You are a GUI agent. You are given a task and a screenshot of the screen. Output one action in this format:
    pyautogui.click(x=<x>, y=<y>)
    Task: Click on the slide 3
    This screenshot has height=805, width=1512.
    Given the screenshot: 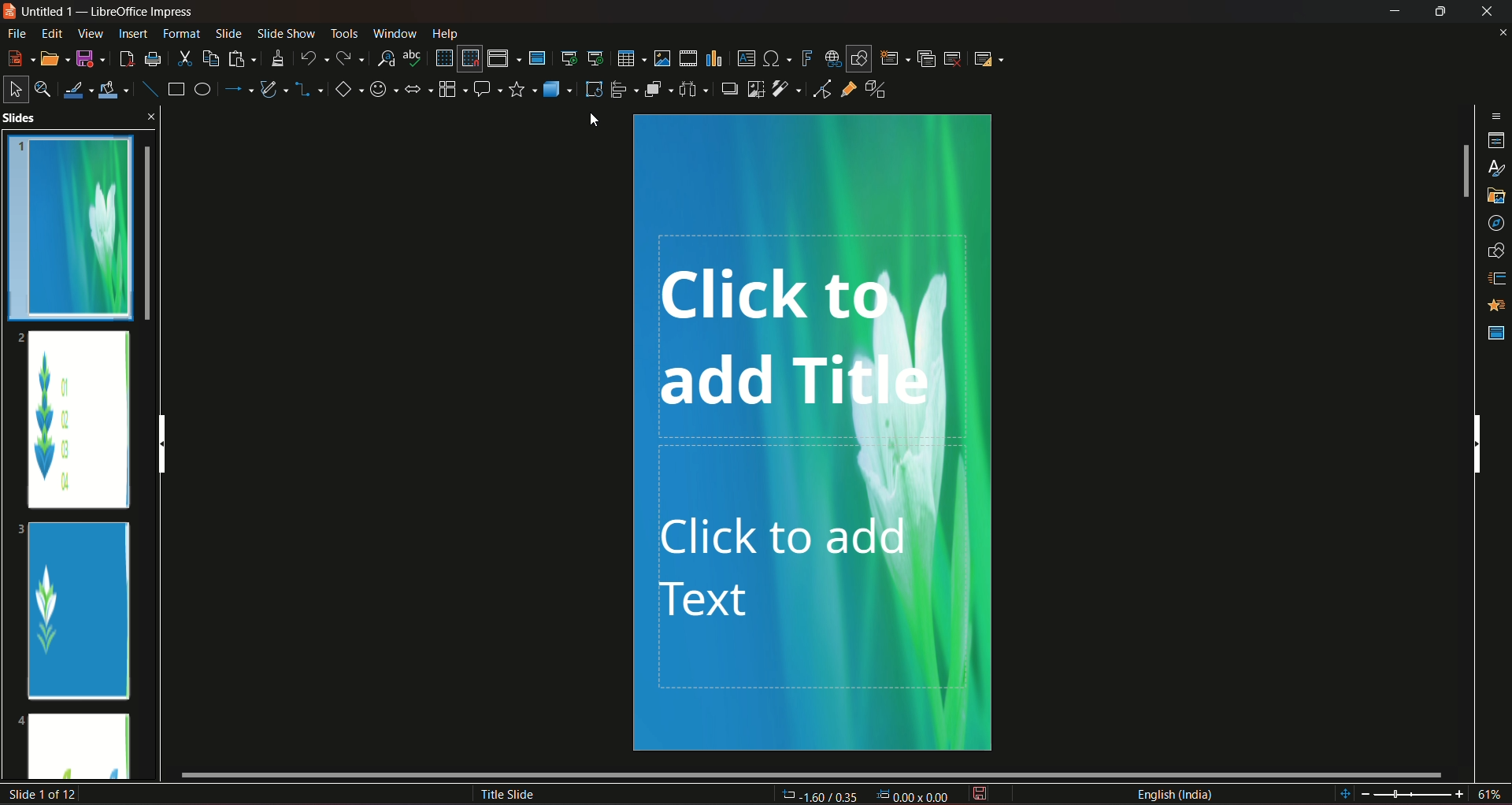 What is the action you would take?
    pyautogui.click(x=71, y=608)
    